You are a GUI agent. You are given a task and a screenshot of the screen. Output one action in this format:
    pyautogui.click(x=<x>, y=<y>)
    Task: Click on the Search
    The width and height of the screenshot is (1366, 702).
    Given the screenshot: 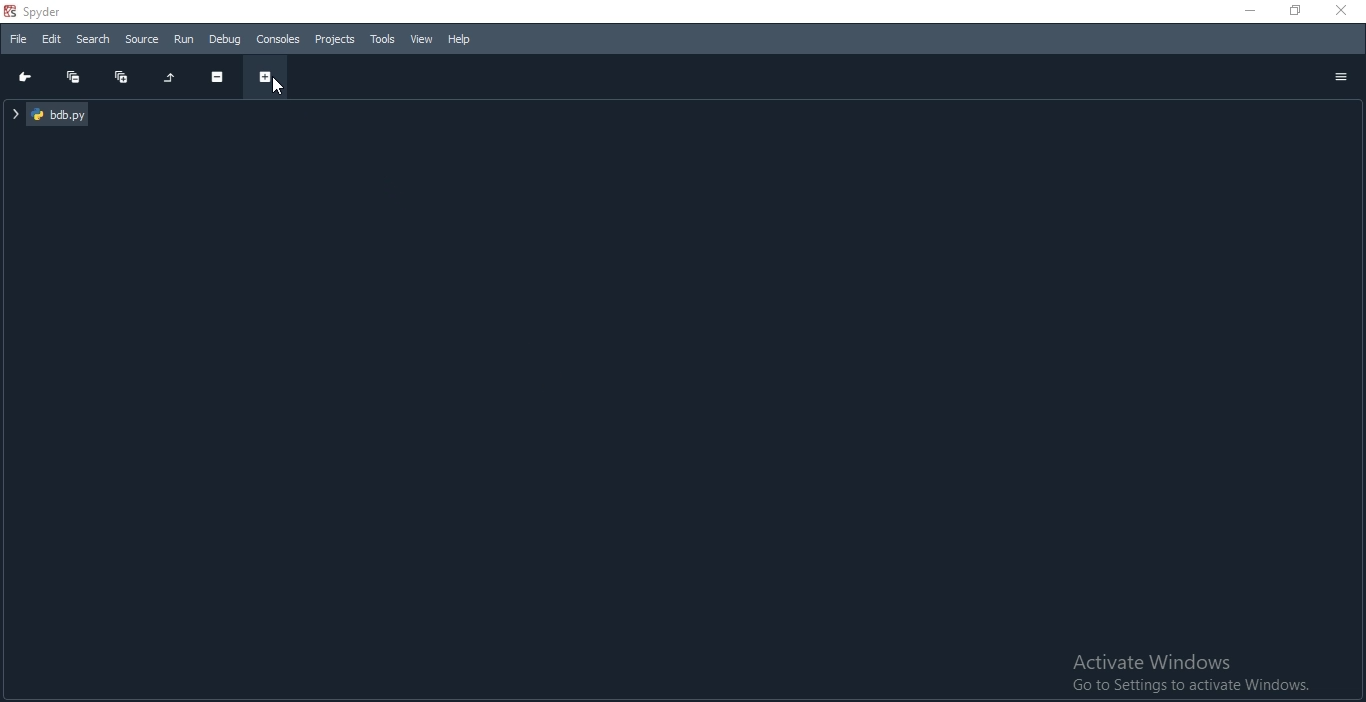 What is the action you would take?
    pyautogui.click(x=94, y=38)
    